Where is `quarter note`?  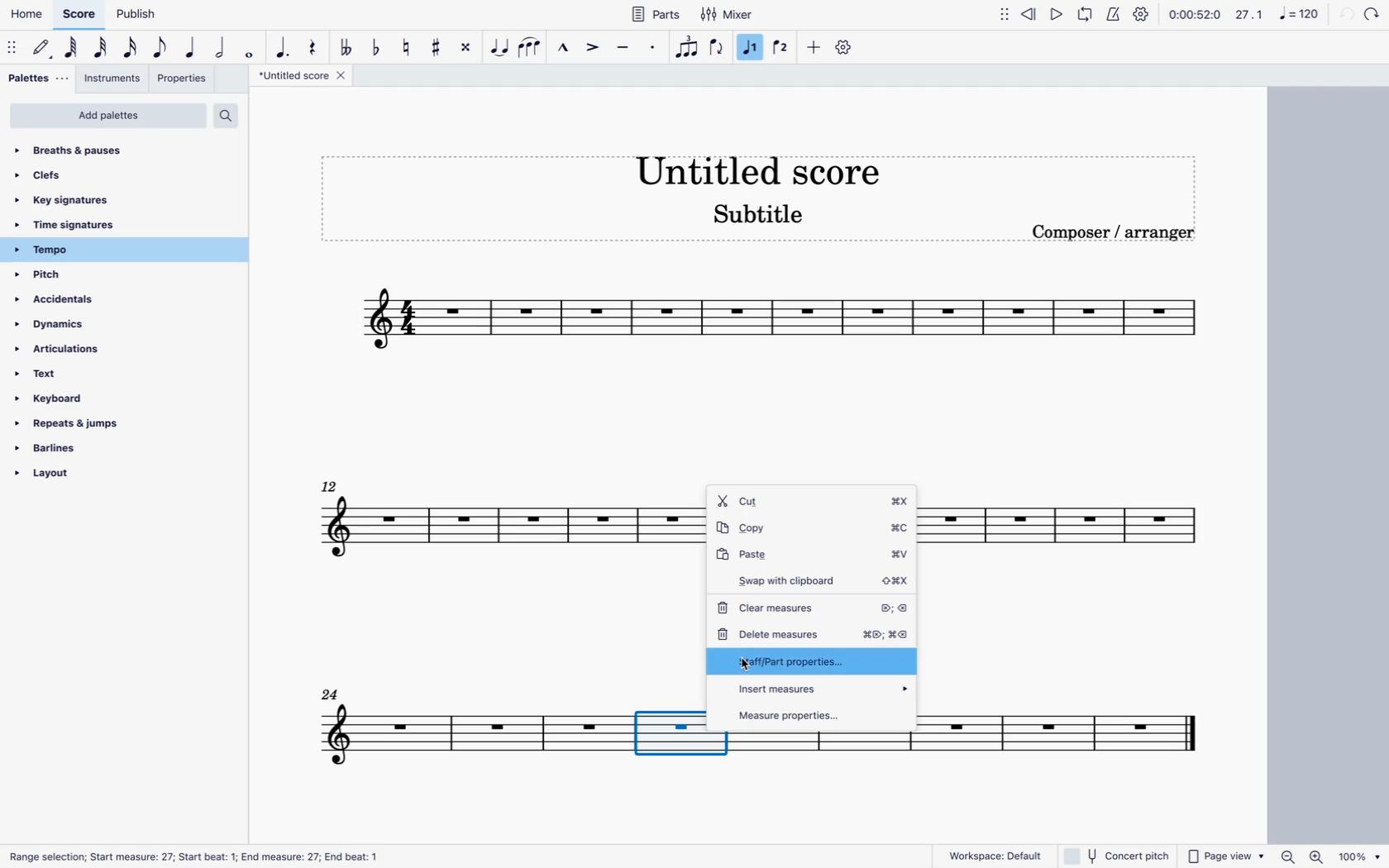 quarter note is located at coordinates (192, 46).